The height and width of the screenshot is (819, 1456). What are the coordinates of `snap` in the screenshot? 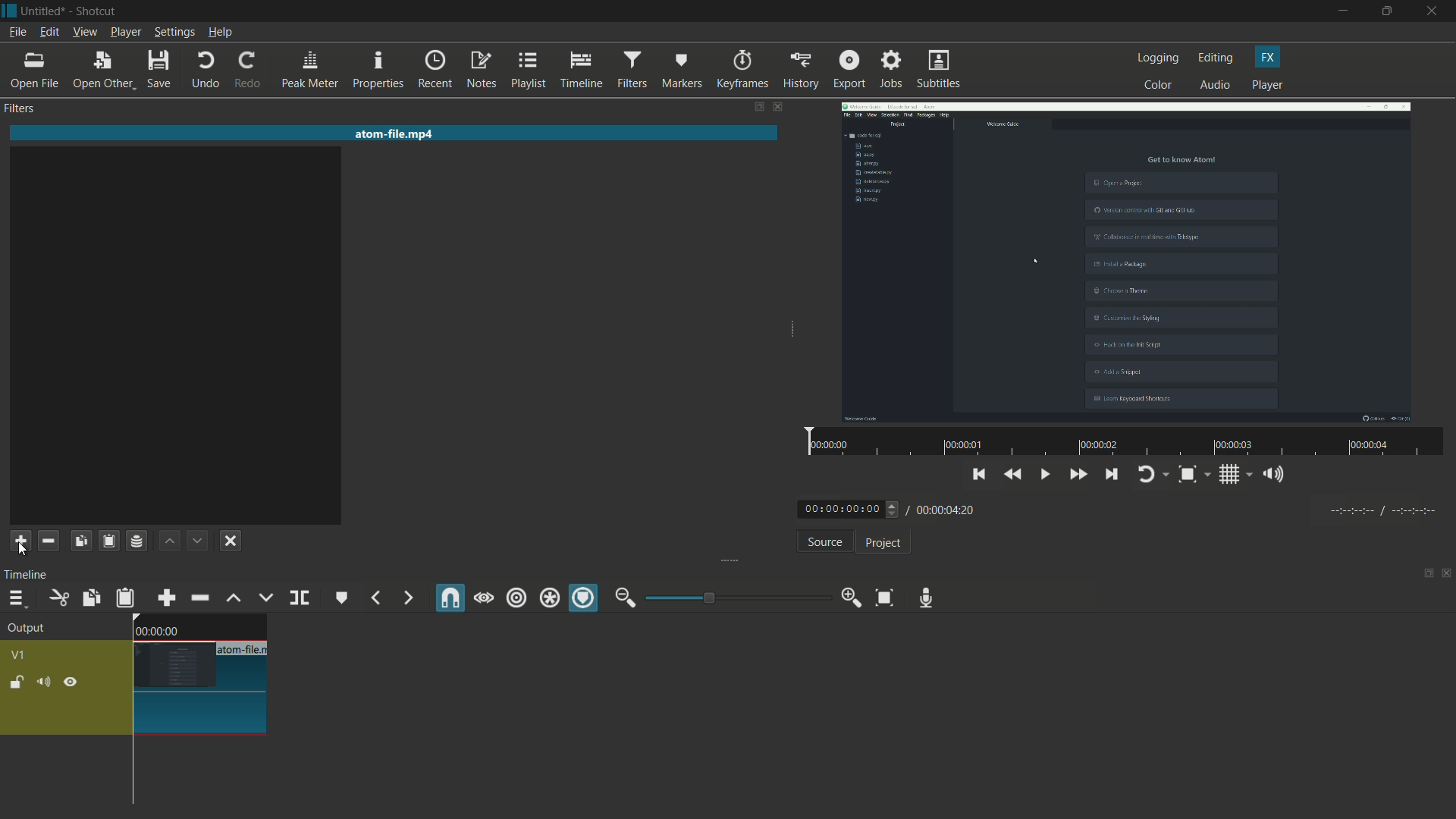 It's located at (451, 598).